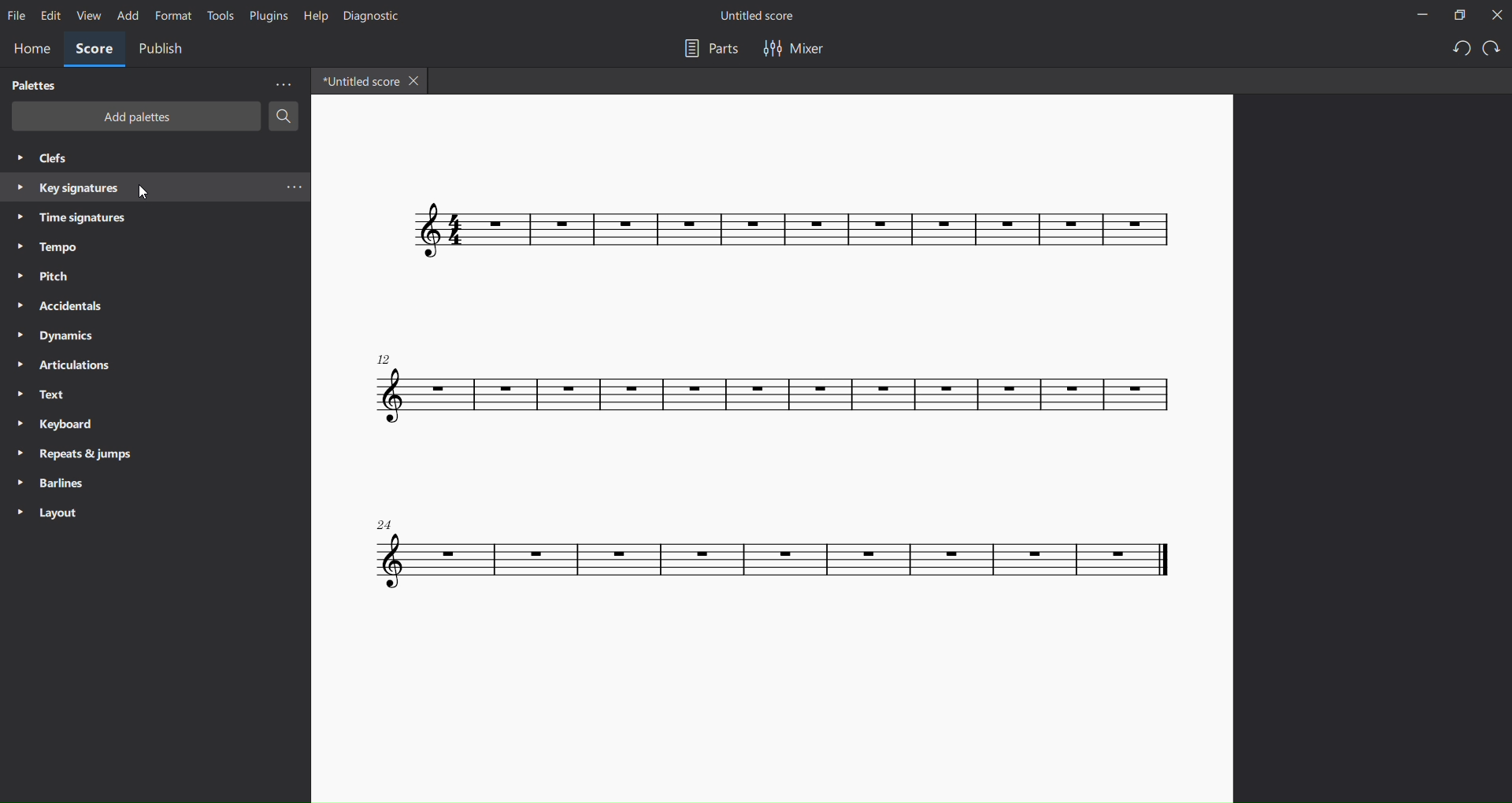 The image size is (1512, 803). What do you see at coordinates (78, 453) in the screenshot?
I see `repeats and jumps` at bounding box center [78, 453].